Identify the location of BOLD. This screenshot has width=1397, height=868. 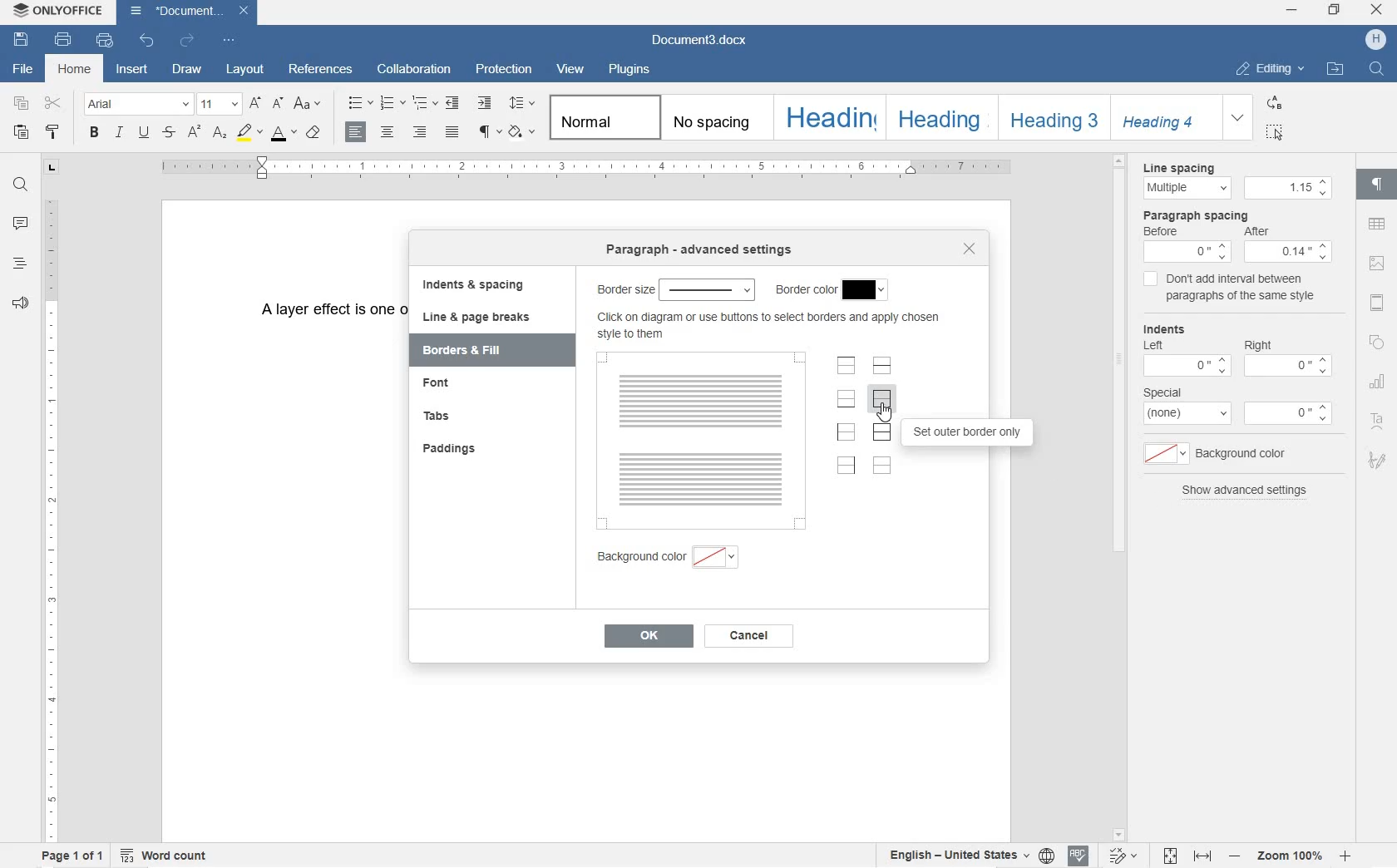
(95, 133).